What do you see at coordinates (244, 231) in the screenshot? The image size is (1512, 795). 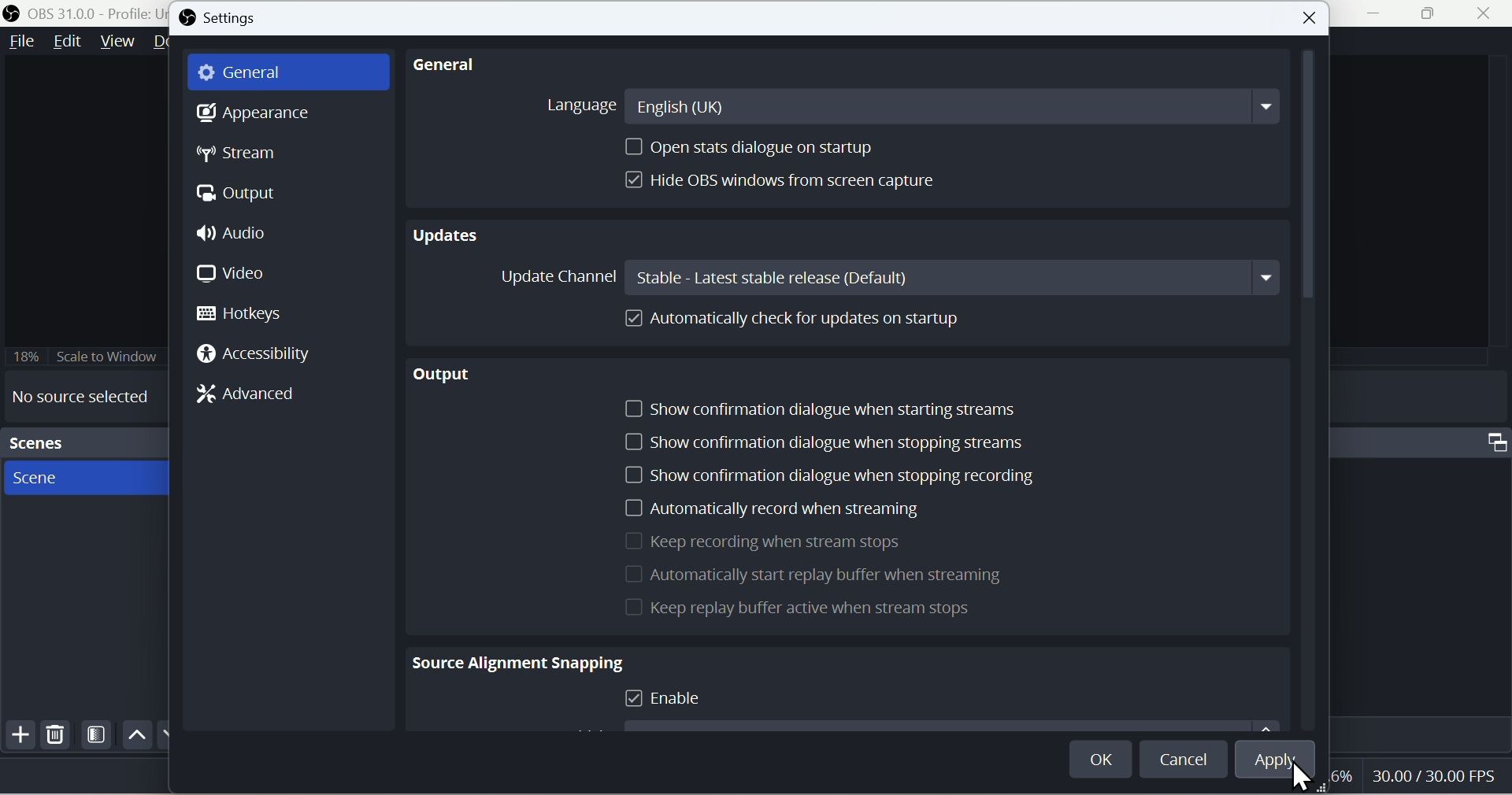 I see `Audio` at bounding box center [244, 231].